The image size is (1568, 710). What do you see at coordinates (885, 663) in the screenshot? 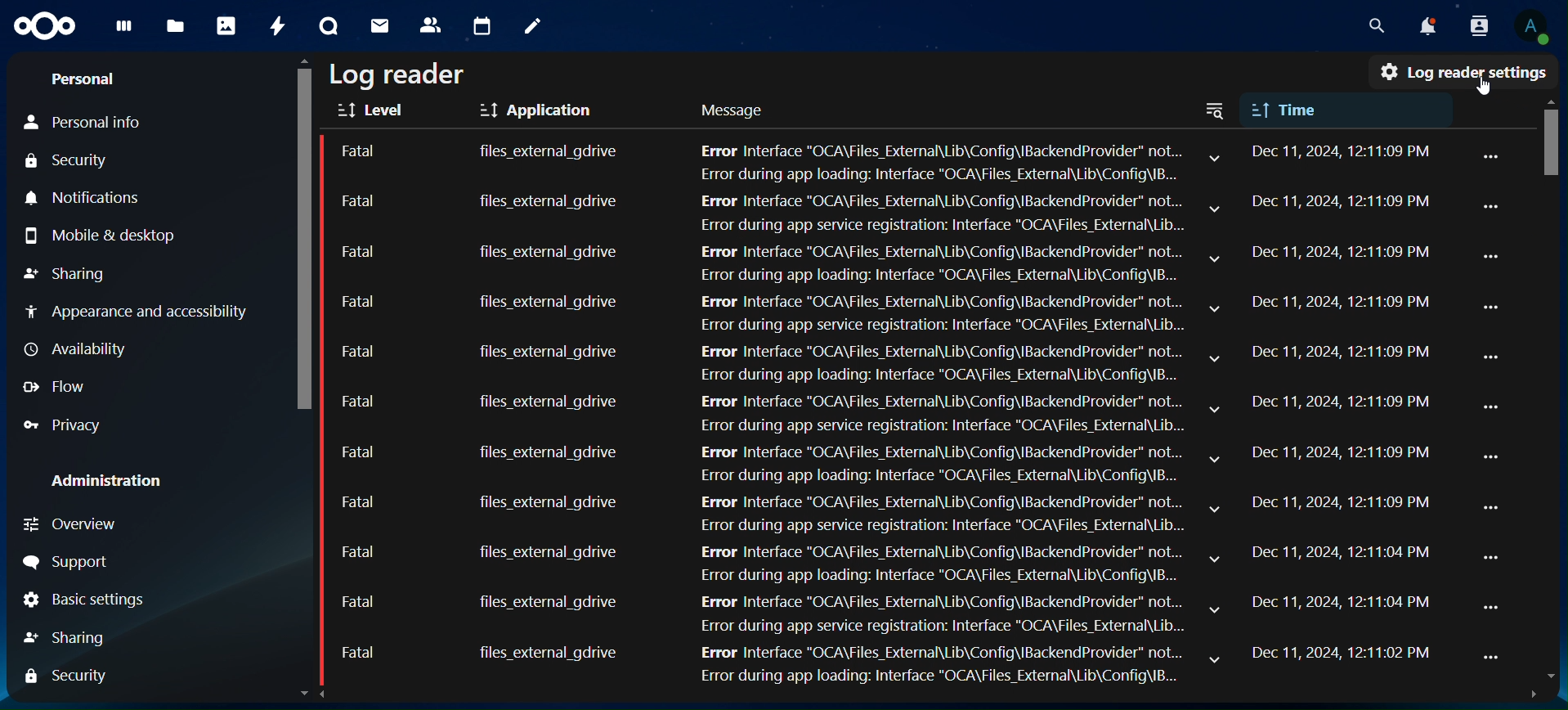
I see `information about log level, application, it's message and time details` at bounding box center [885, 663].